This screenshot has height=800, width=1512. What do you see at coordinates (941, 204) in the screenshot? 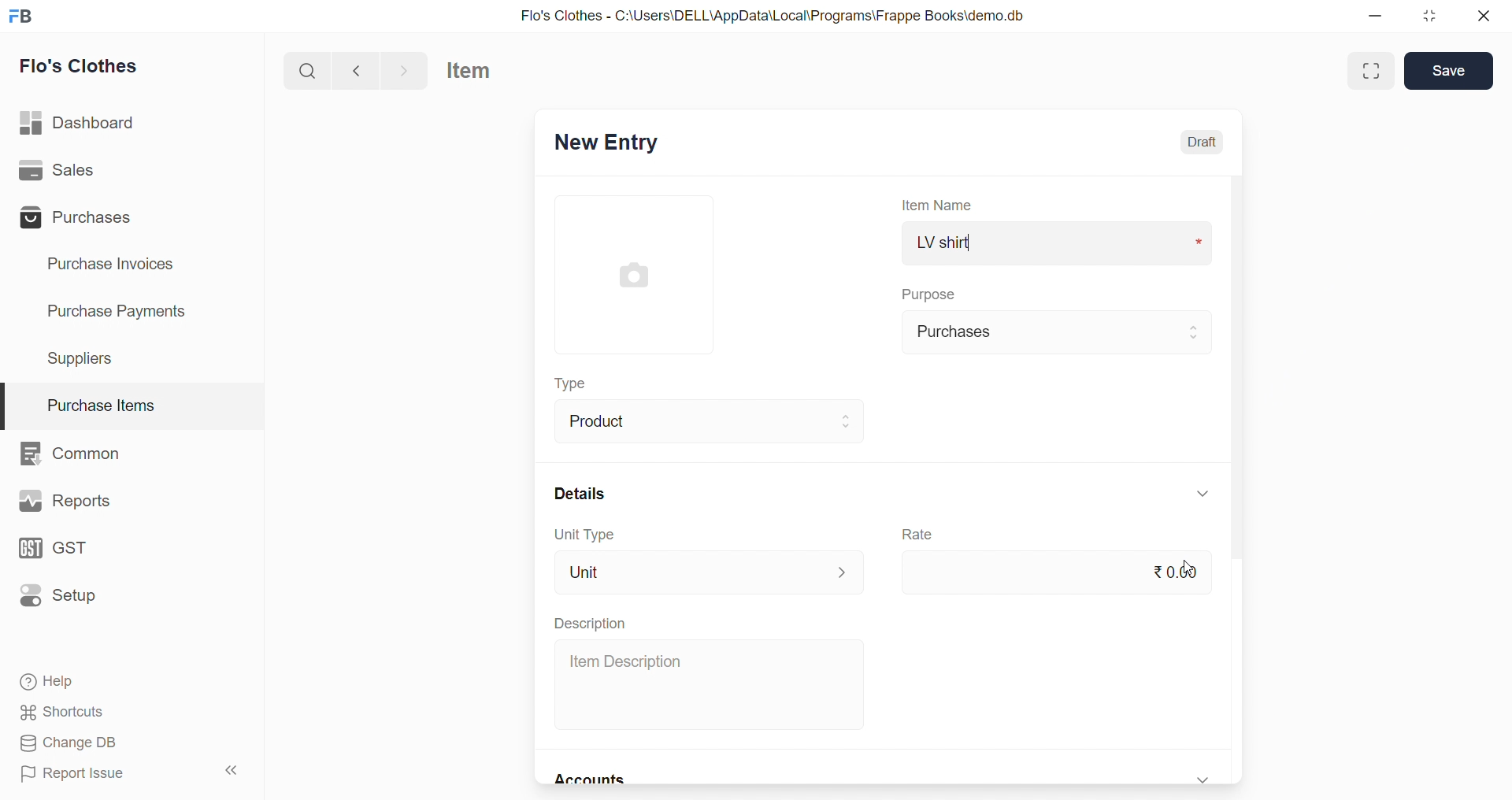
I see `Item Name` at bounding box center [941, 204].